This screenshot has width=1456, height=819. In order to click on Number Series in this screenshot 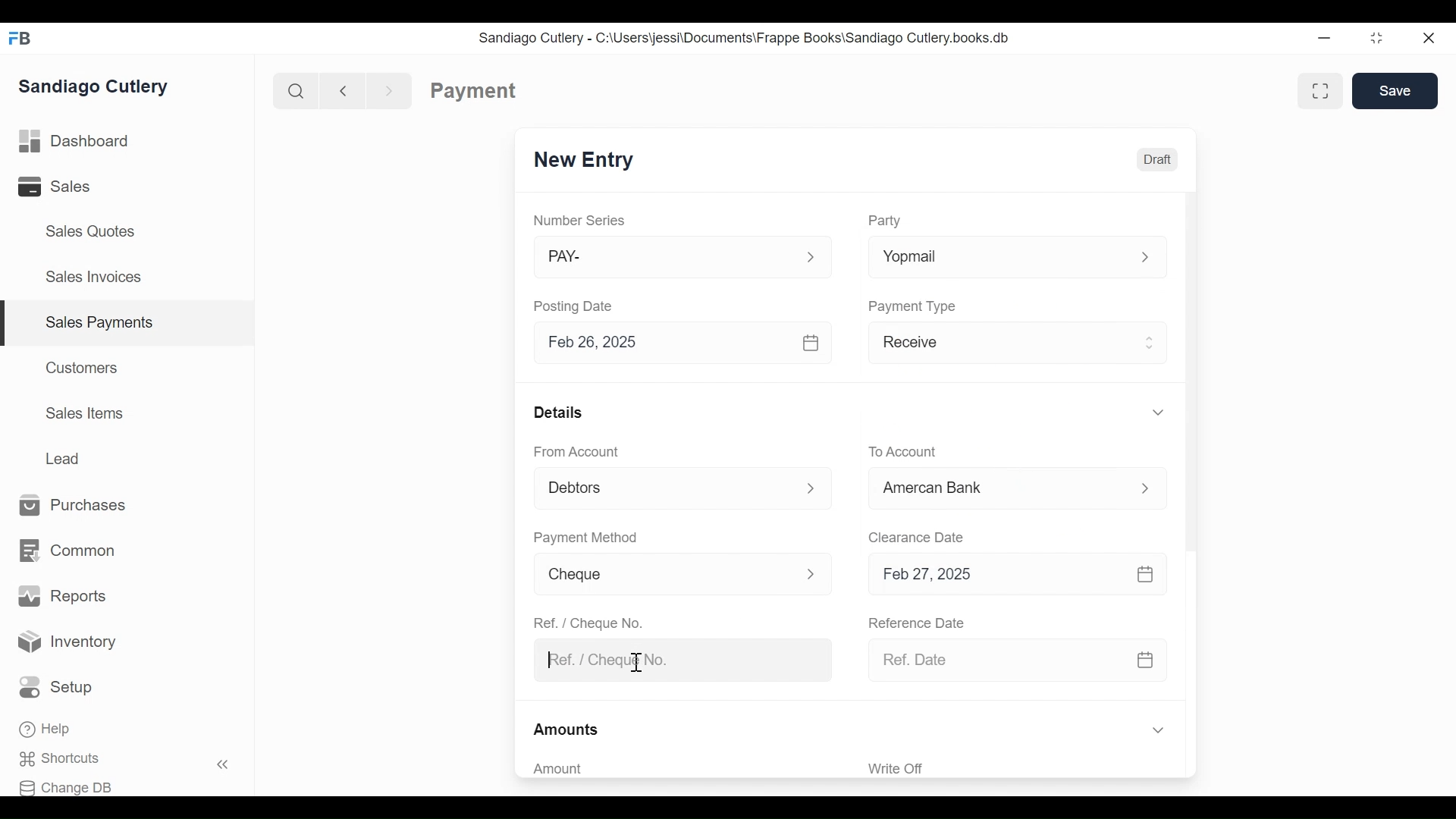, I will do `click(581, 221)`.